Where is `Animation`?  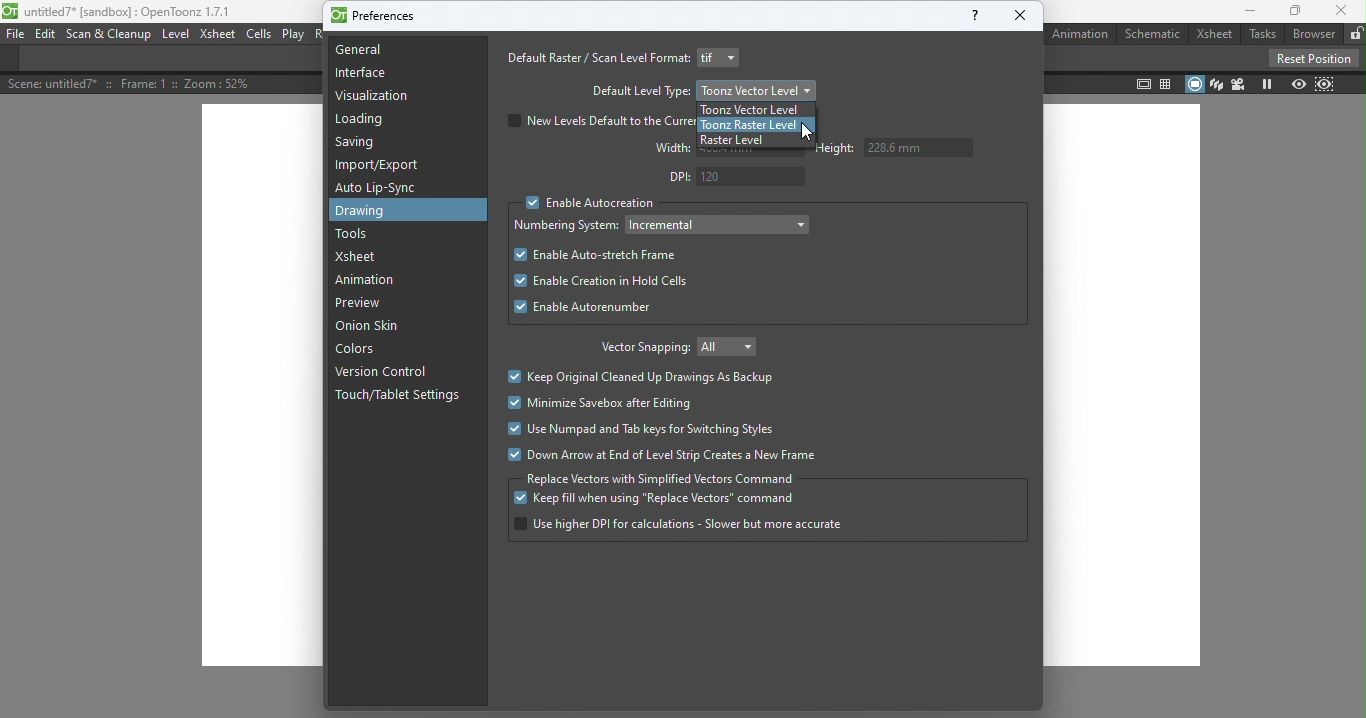 Animation is located at coordinates (1079, 33).